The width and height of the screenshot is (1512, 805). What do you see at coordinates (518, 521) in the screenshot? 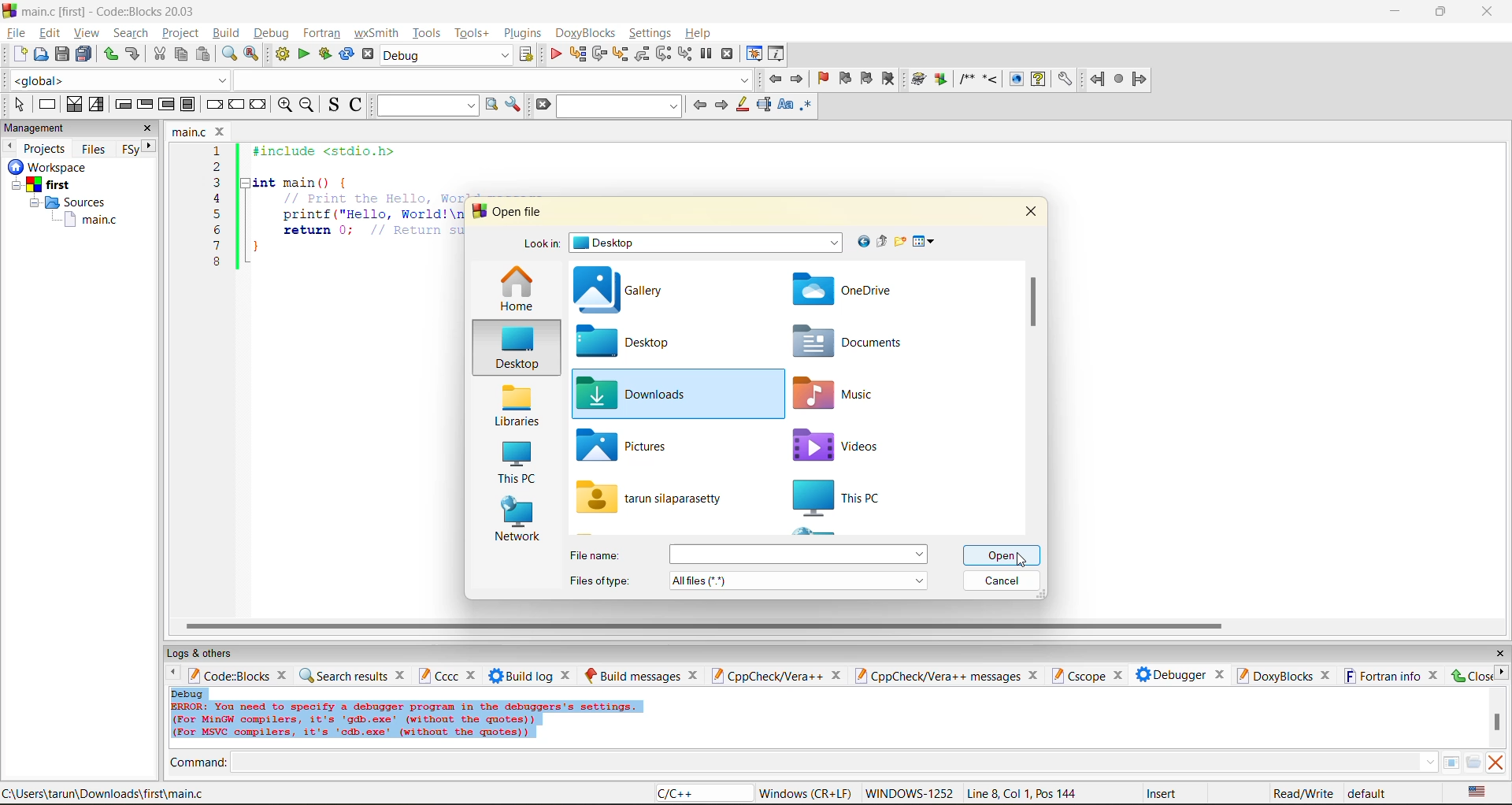
I see `network` at bounding box center [518, 521].